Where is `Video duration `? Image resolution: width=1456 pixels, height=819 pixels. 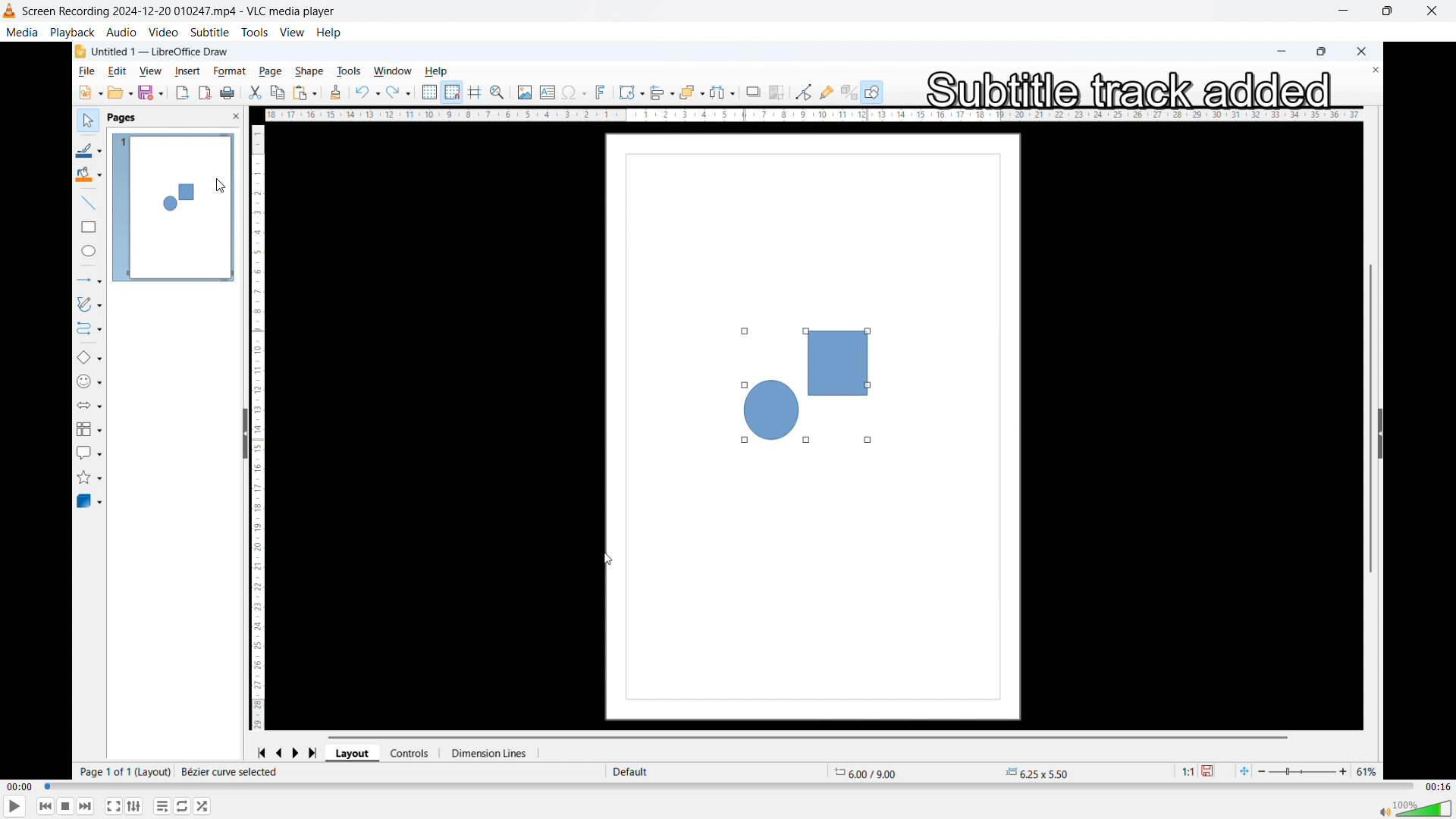 Video duration  is located at coordinates (1437, 787).